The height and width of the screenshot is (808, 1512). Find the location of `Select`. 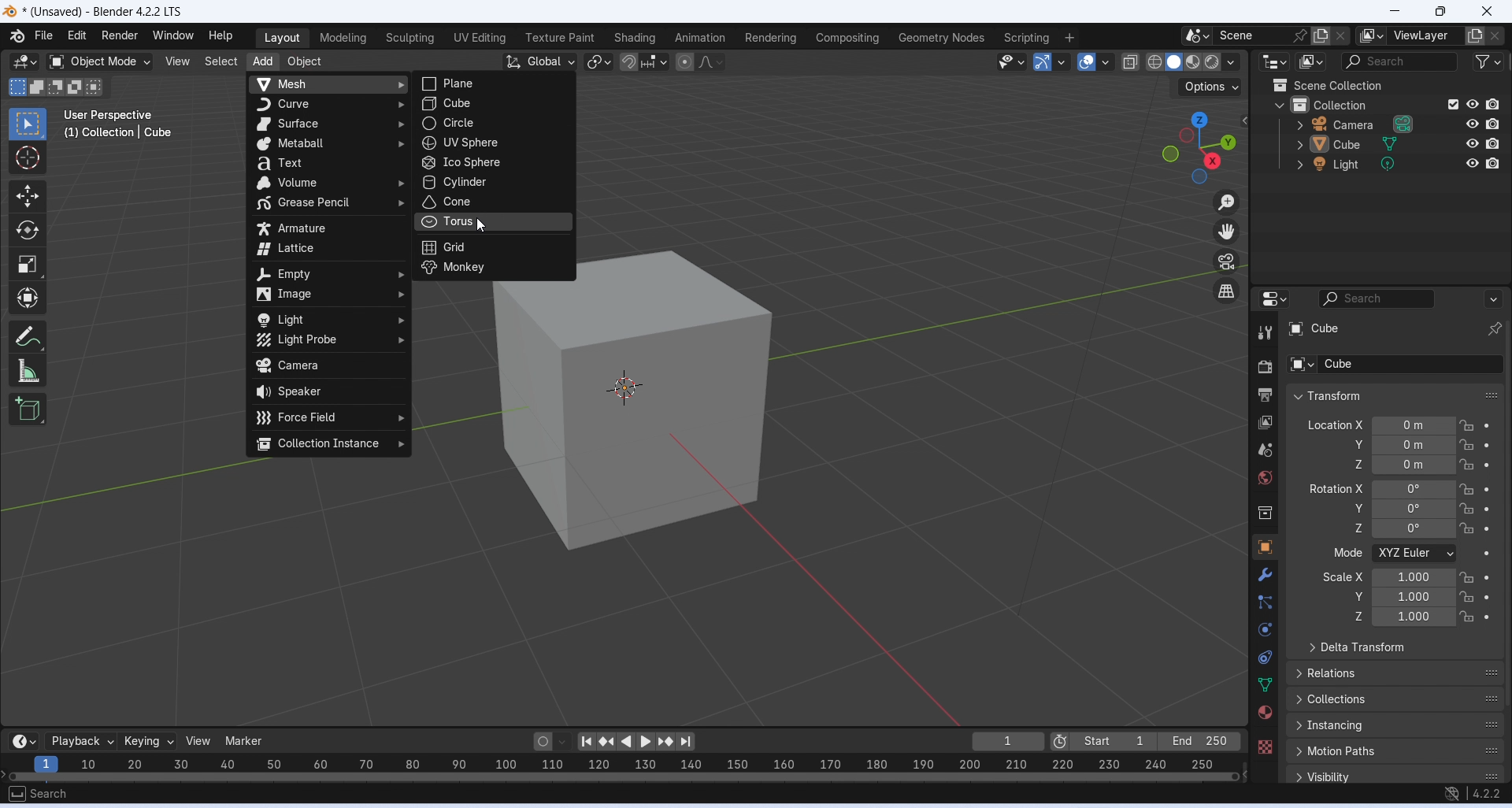

Select is located at coordinates (220, 61).